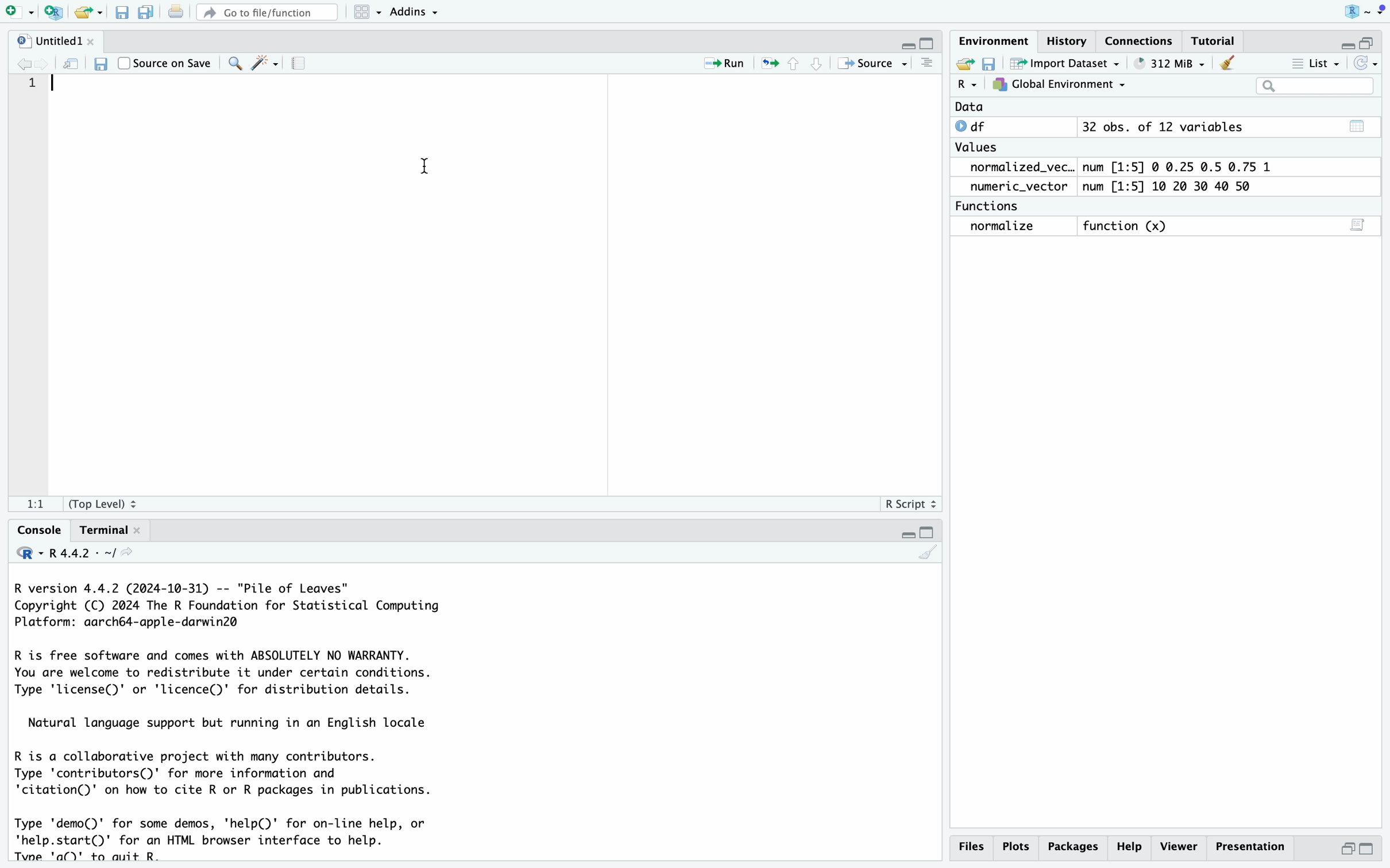 The image size is (1390, 868). Describe the element at coordinates (119, 13) in the screenshot. I see `File` at that location.